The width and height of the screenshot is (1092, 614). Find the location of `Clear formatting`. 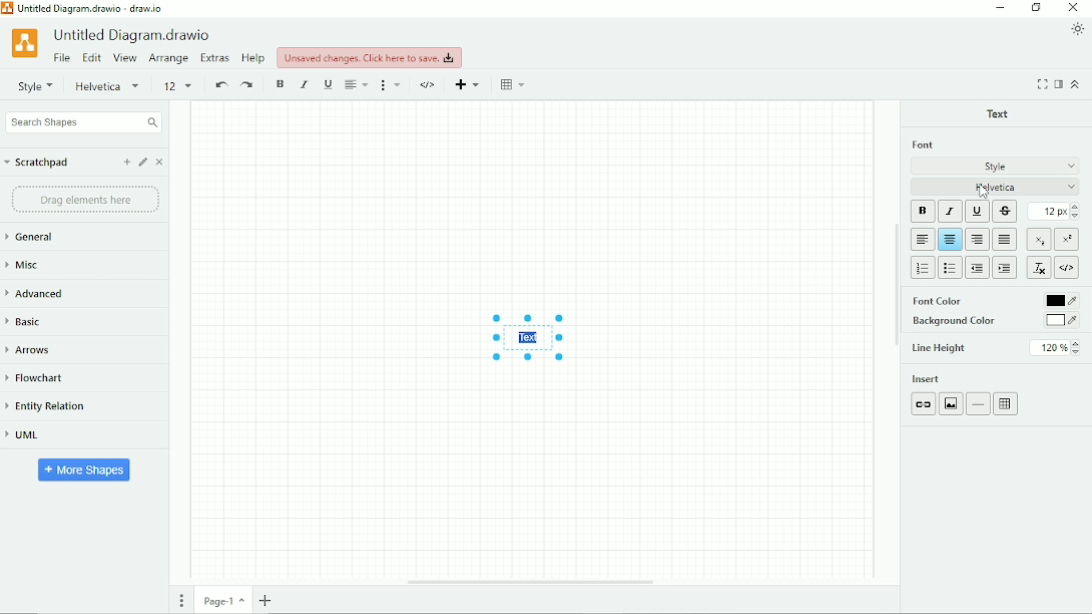

Clear formatting is located at coordinates (1039, 267).